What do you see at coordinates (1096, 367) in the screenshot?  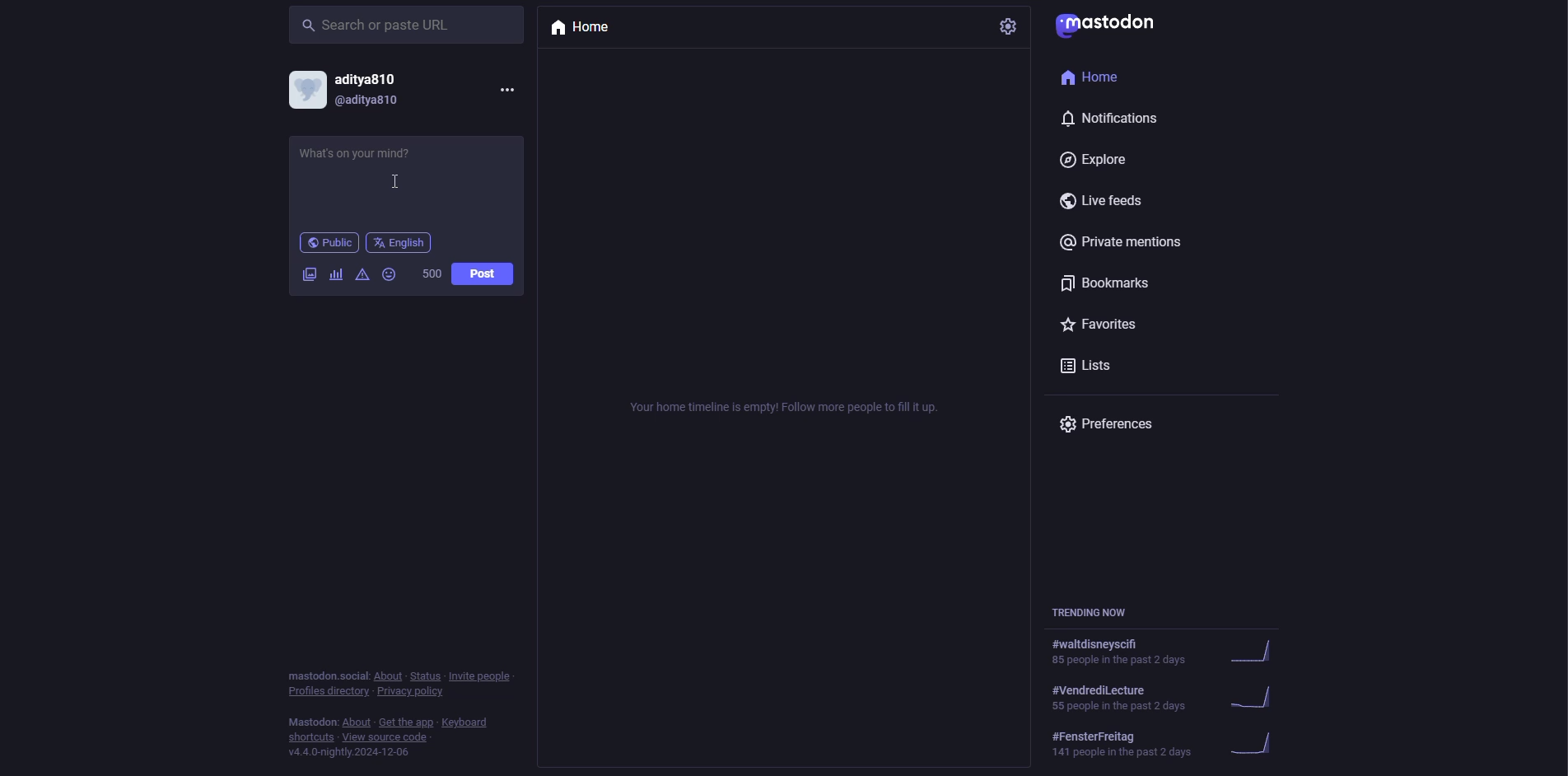 I see `lists` at bounding box center [1096, 367].